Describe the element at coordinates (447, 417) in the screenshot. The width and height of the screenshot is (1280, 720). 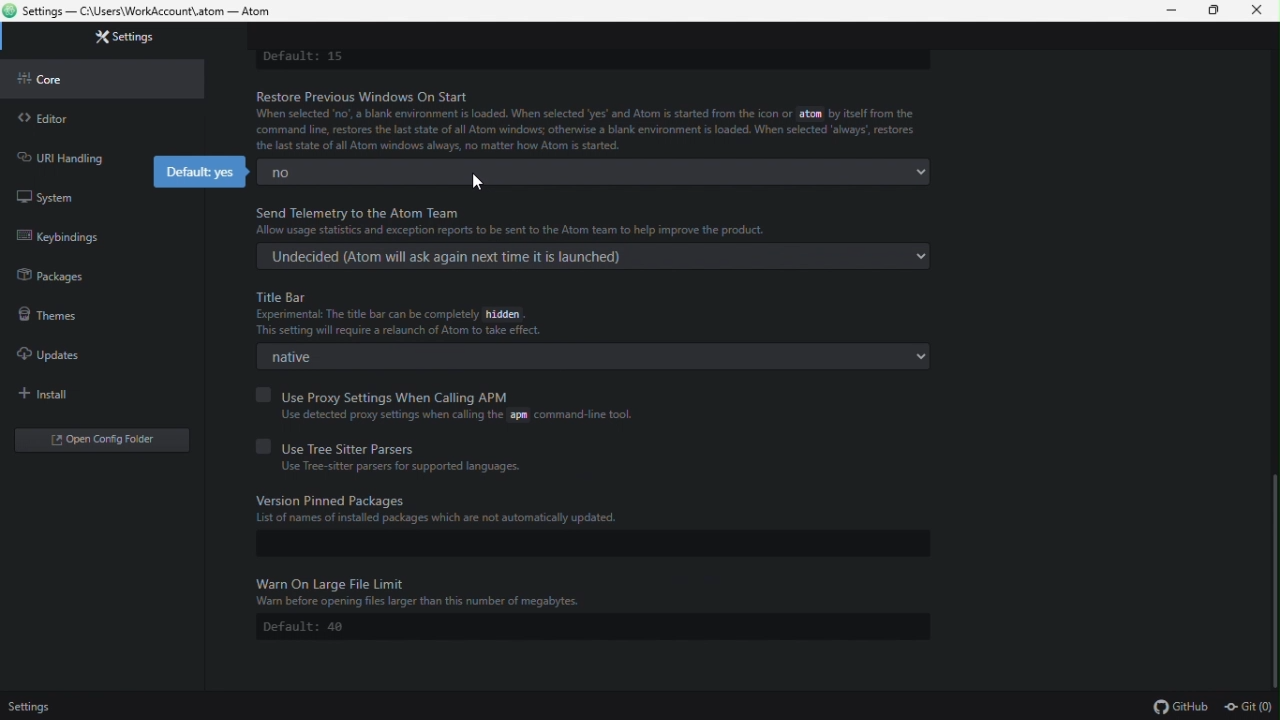
I see `Use detected proxy settings when calling the atom command-line tool.` at that location.